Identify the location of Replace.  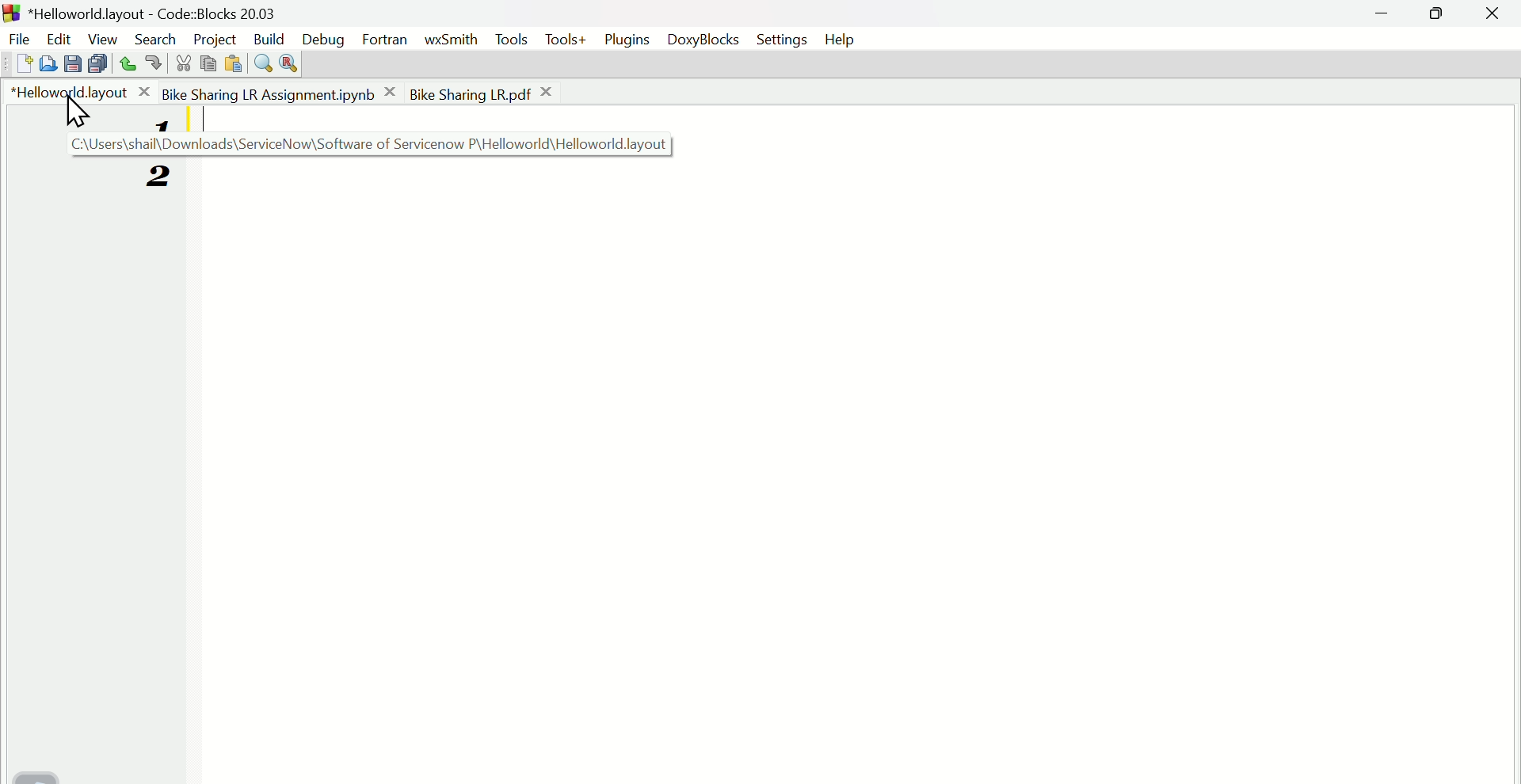
(291, 64).